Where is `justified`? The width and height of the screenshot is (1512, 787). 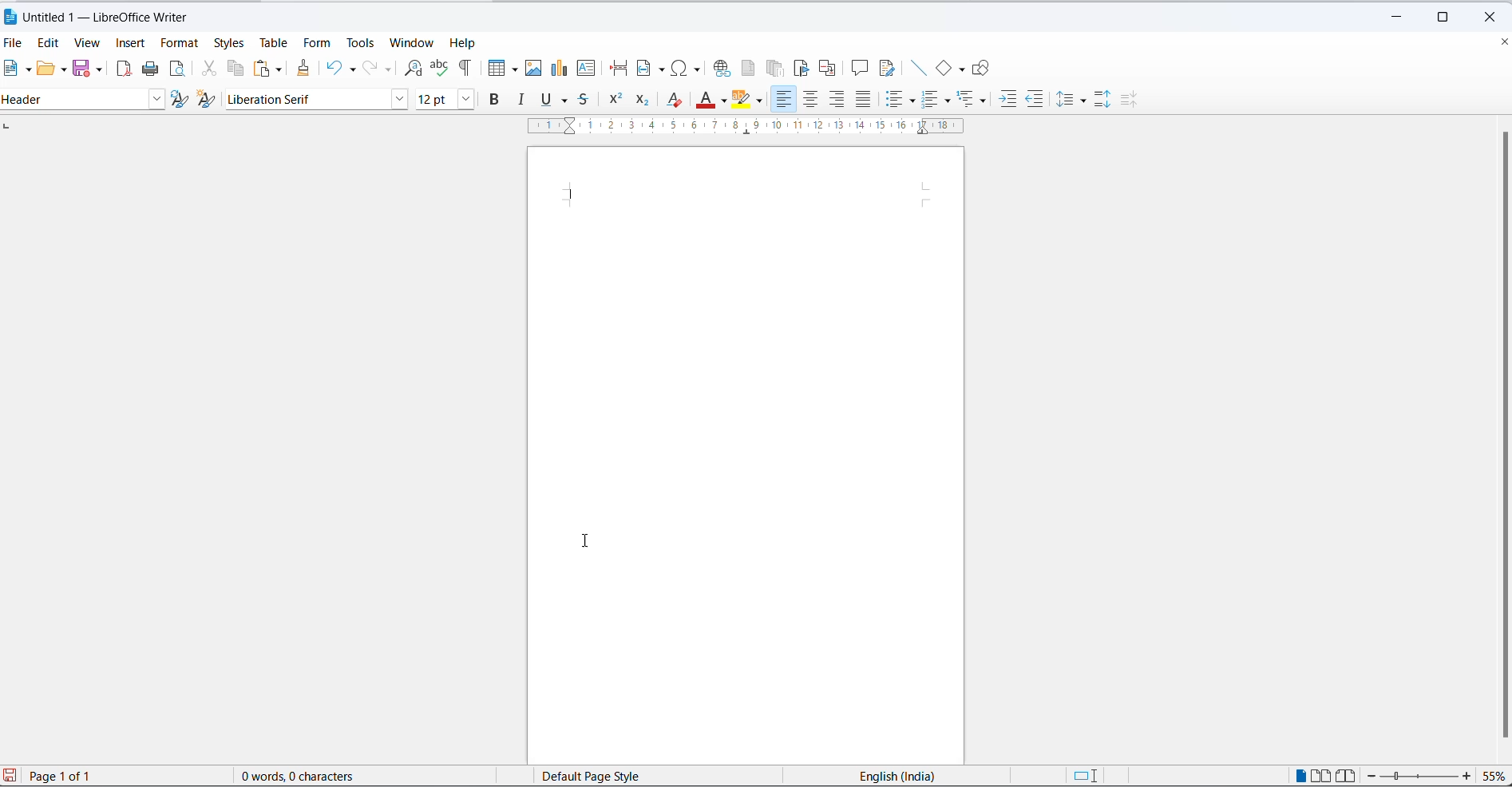 justified is located at coordinates (863, 101).